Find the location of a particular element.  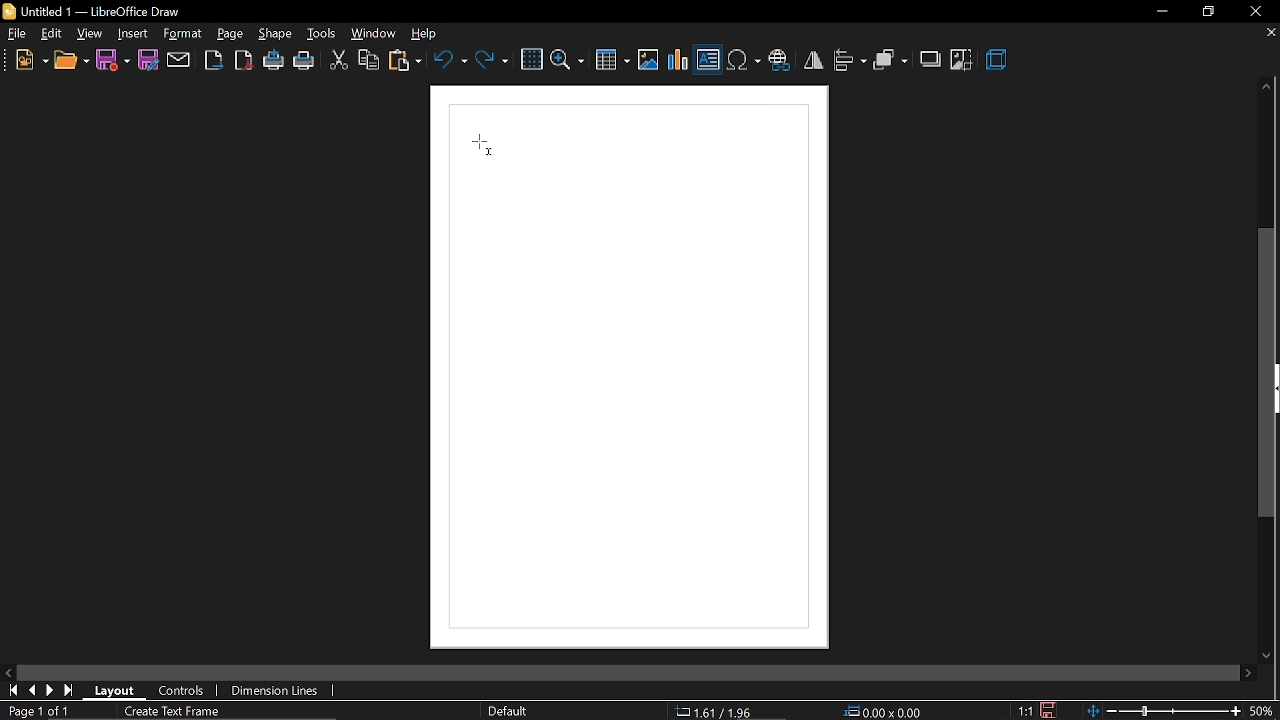

move up is located at coordinates (1262, 87).